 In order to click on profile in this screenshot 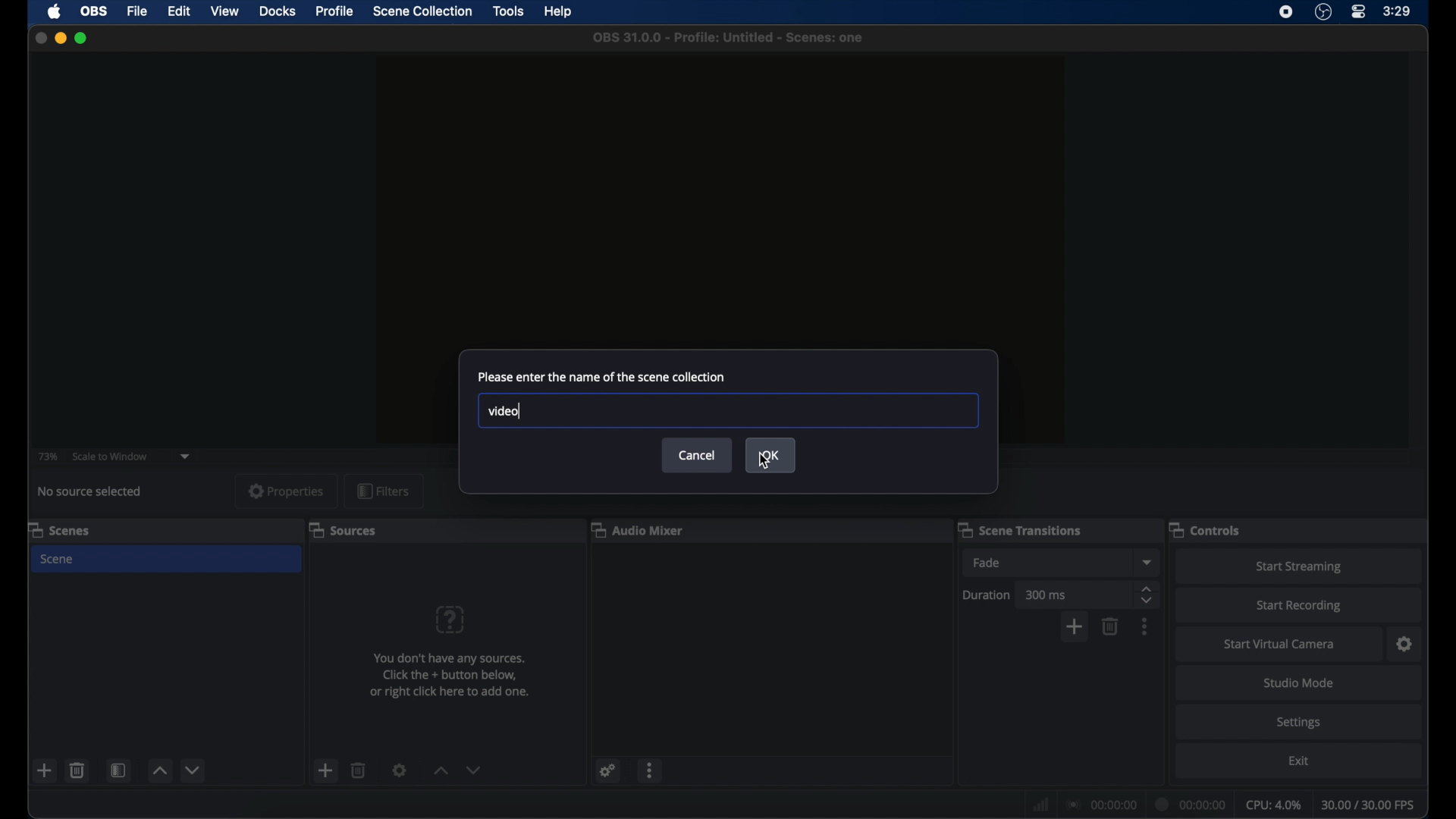, I will do `click(335, 11)`.